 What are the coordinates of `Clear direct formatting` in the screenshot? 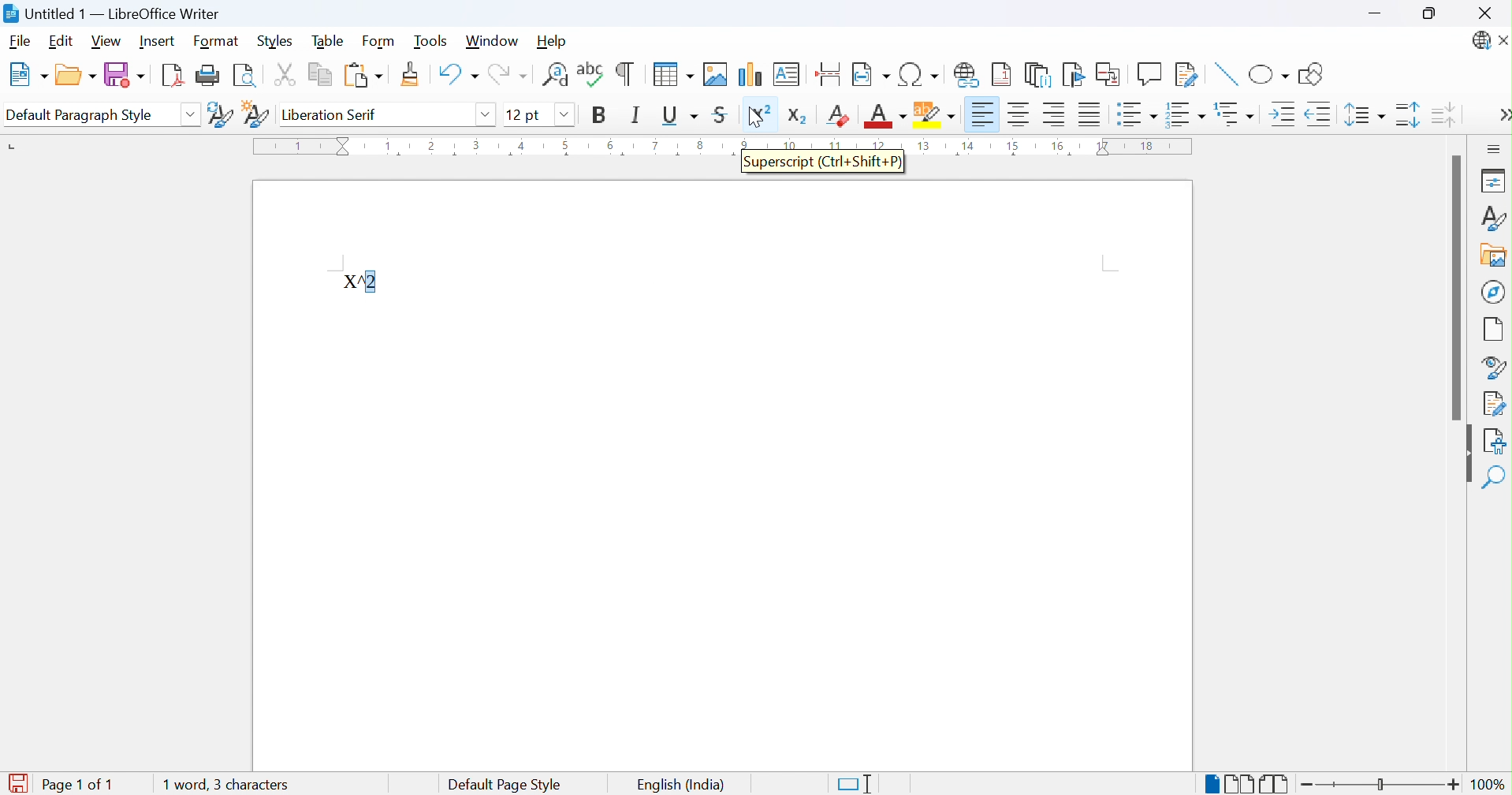 It's located at (836, 115).